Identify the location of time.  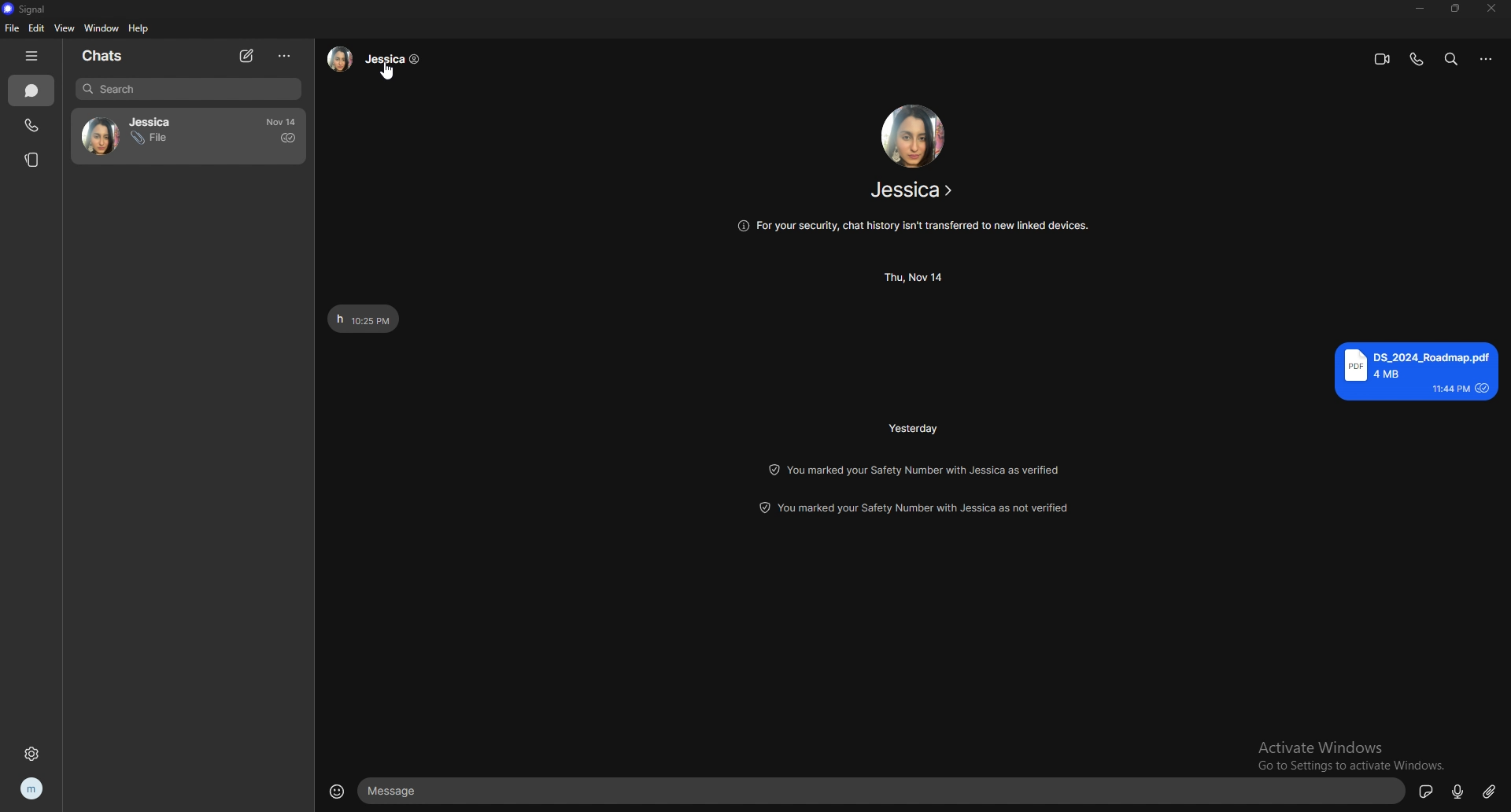
(913, 278).